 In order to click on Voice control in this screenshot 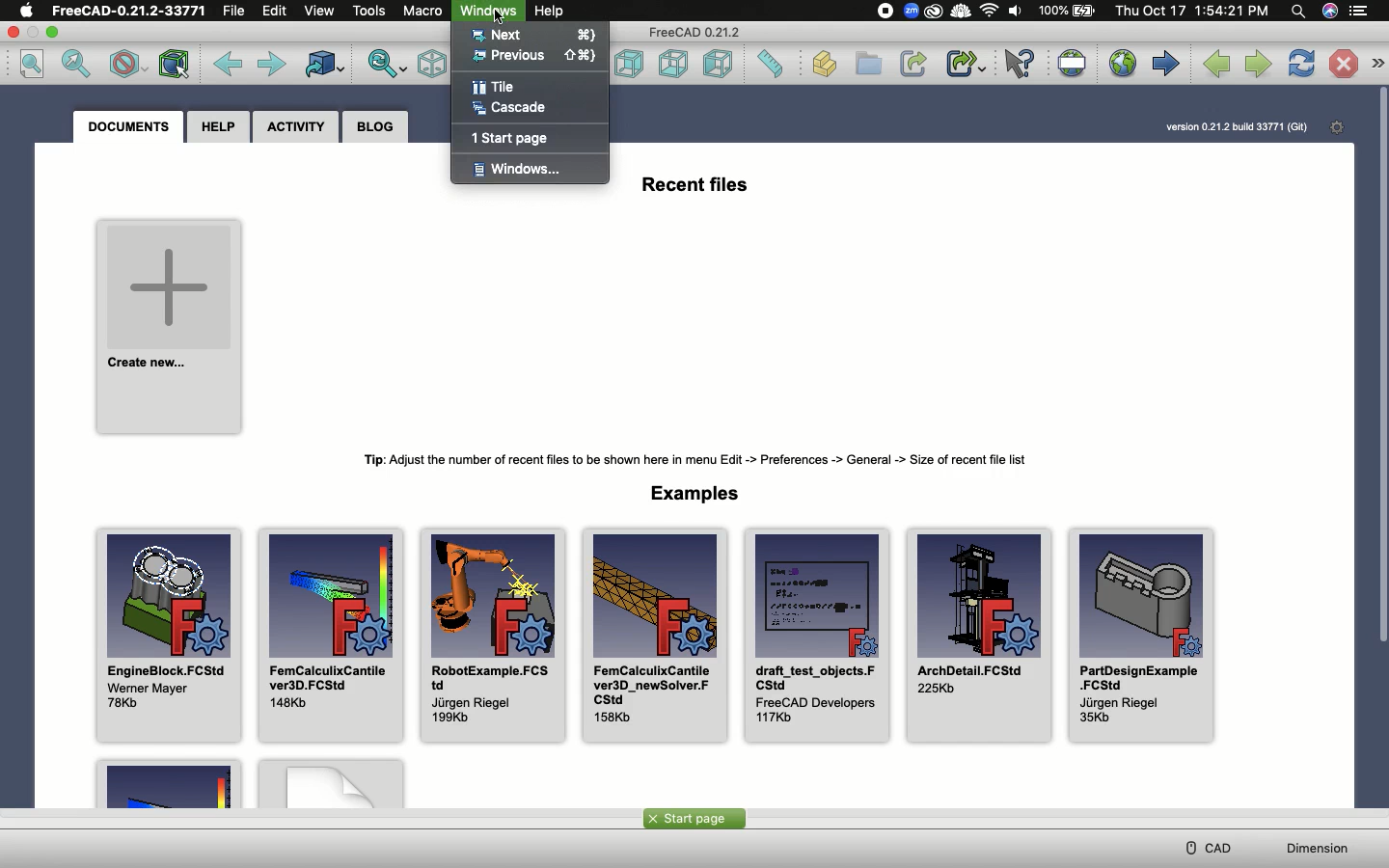, I will do `click(1327, 12)`.